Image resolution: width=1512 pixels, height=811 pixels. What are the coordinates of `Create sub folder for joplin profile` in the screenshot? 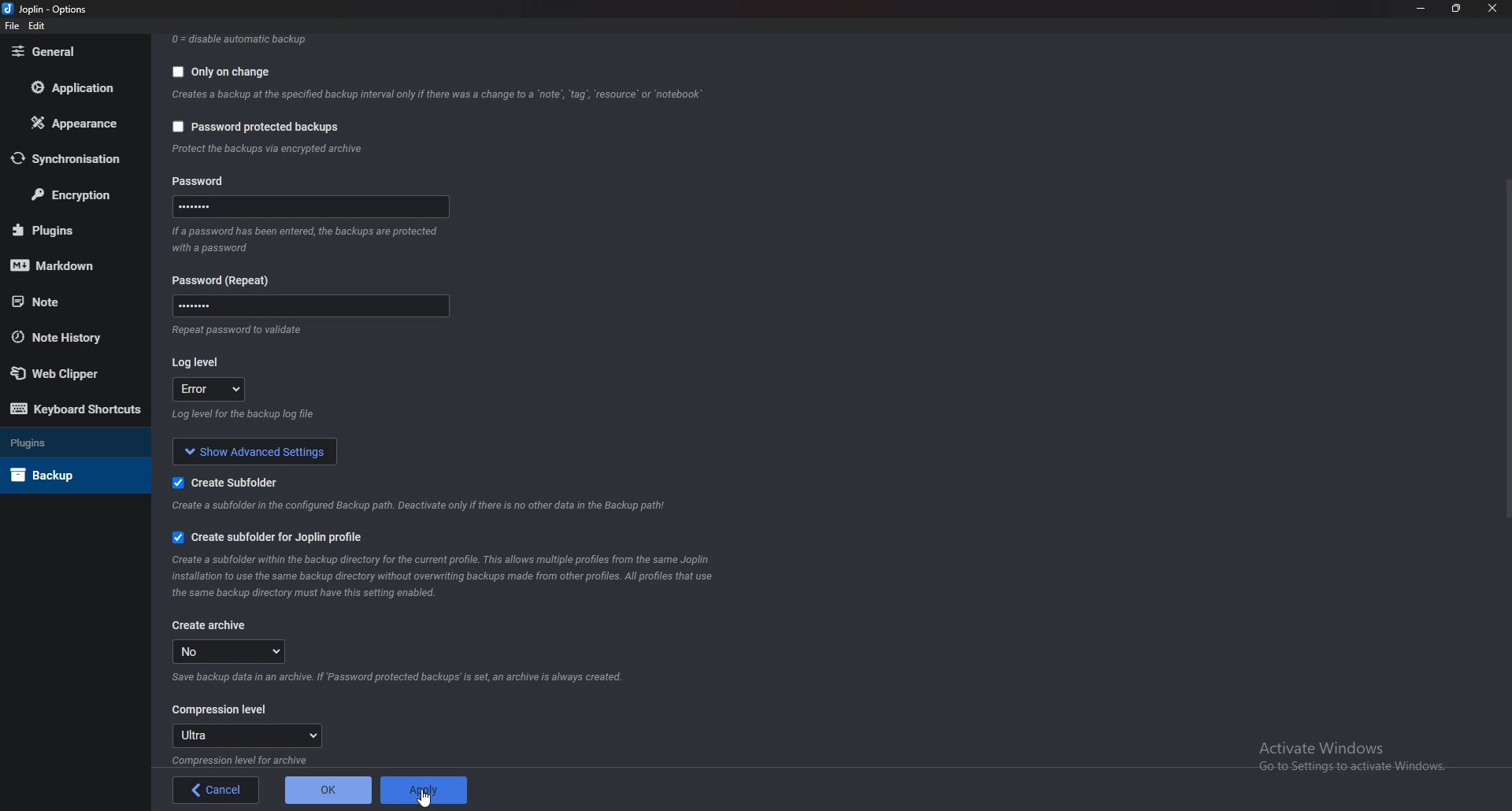 It's located at (269, 538).